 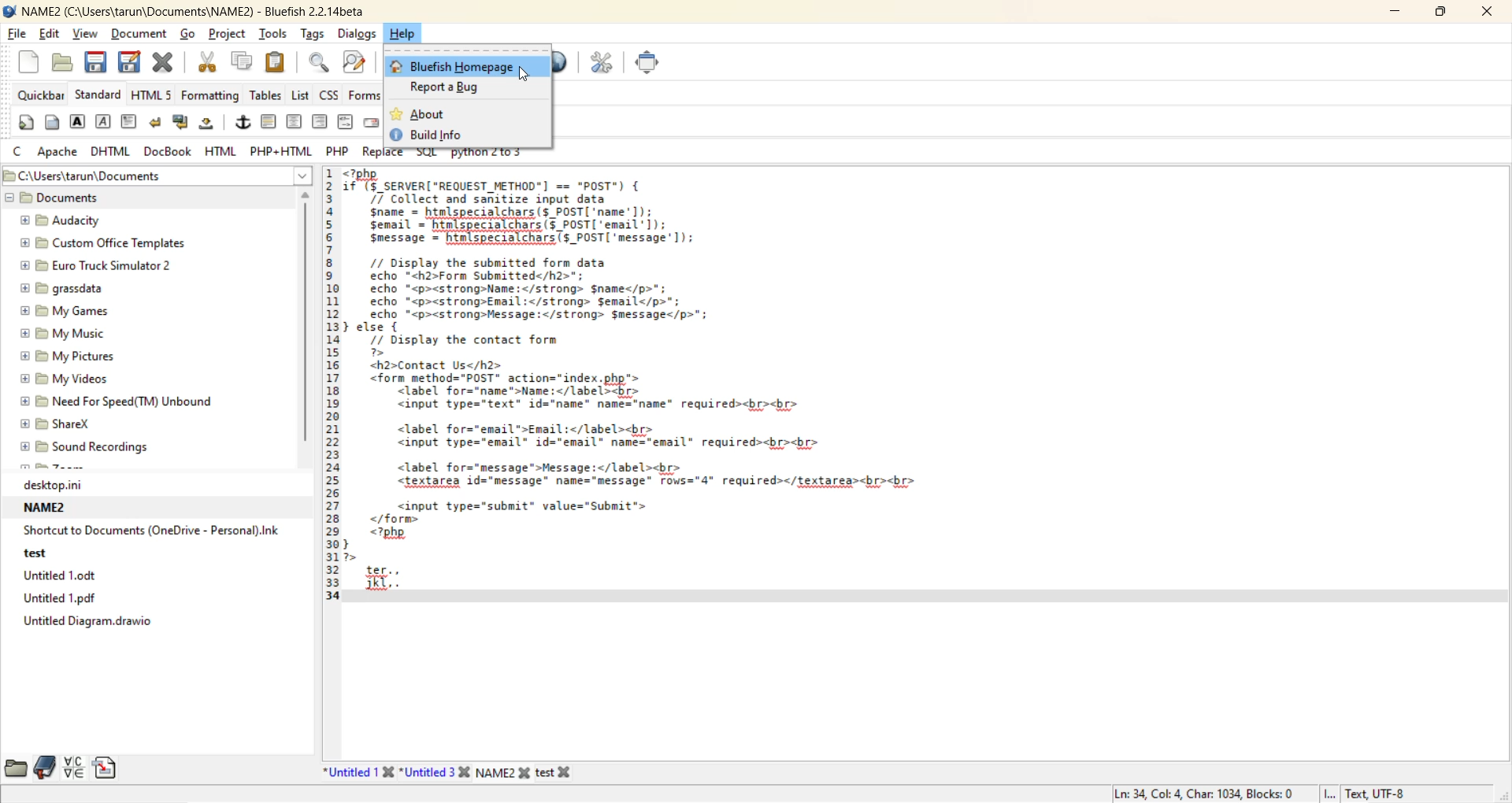 What do you see at coordinates (1192, 791) in the screenshot?
I see `Ln: 34 Col 4 Char: 1034 Blocks: 0` at bounding box center [1192, 791].